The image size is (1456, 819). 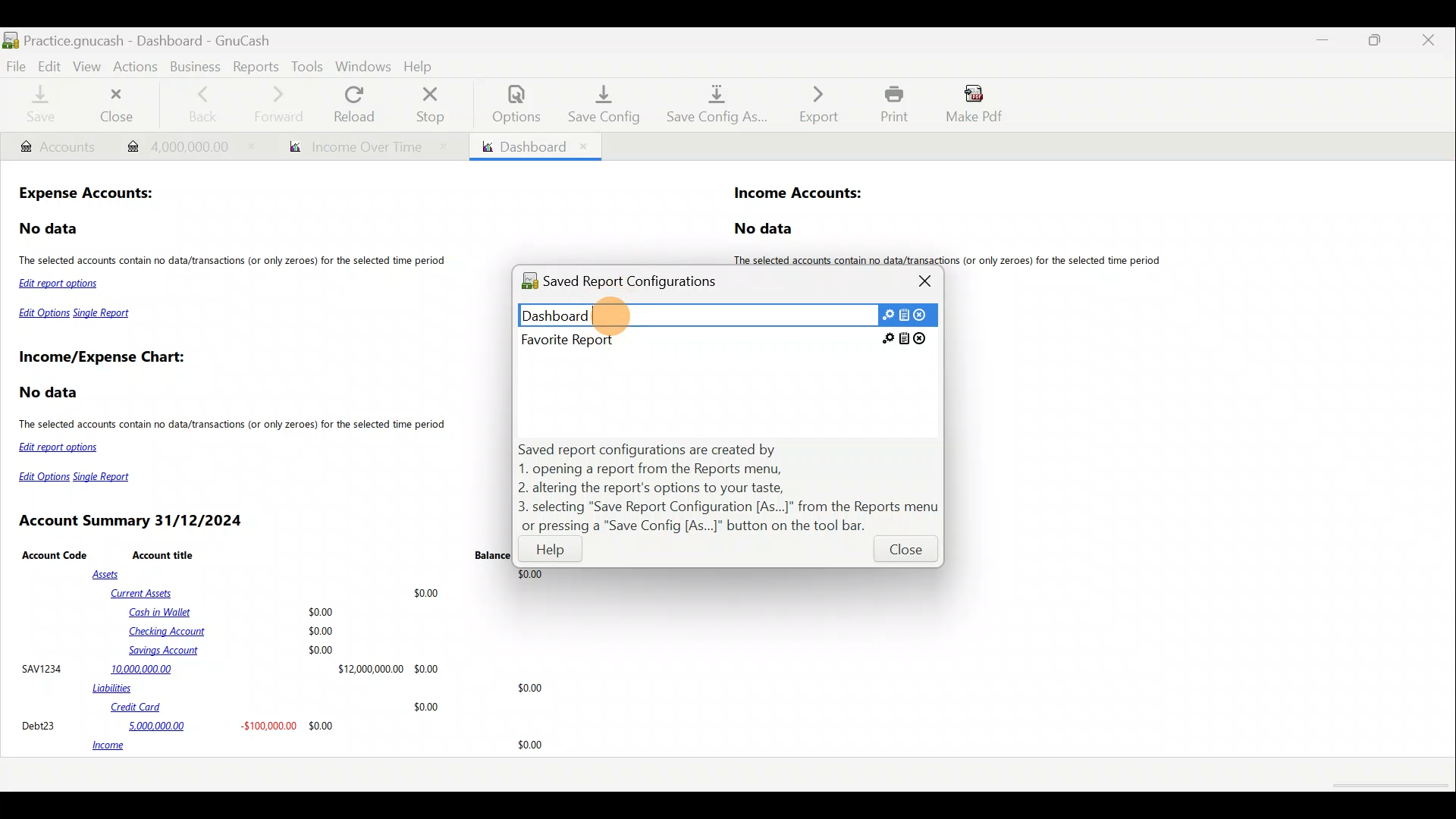 I want to click on The selected accounts contain no data/transactions (or only zeroes) for the selected time period, so click(x=234, y=426).